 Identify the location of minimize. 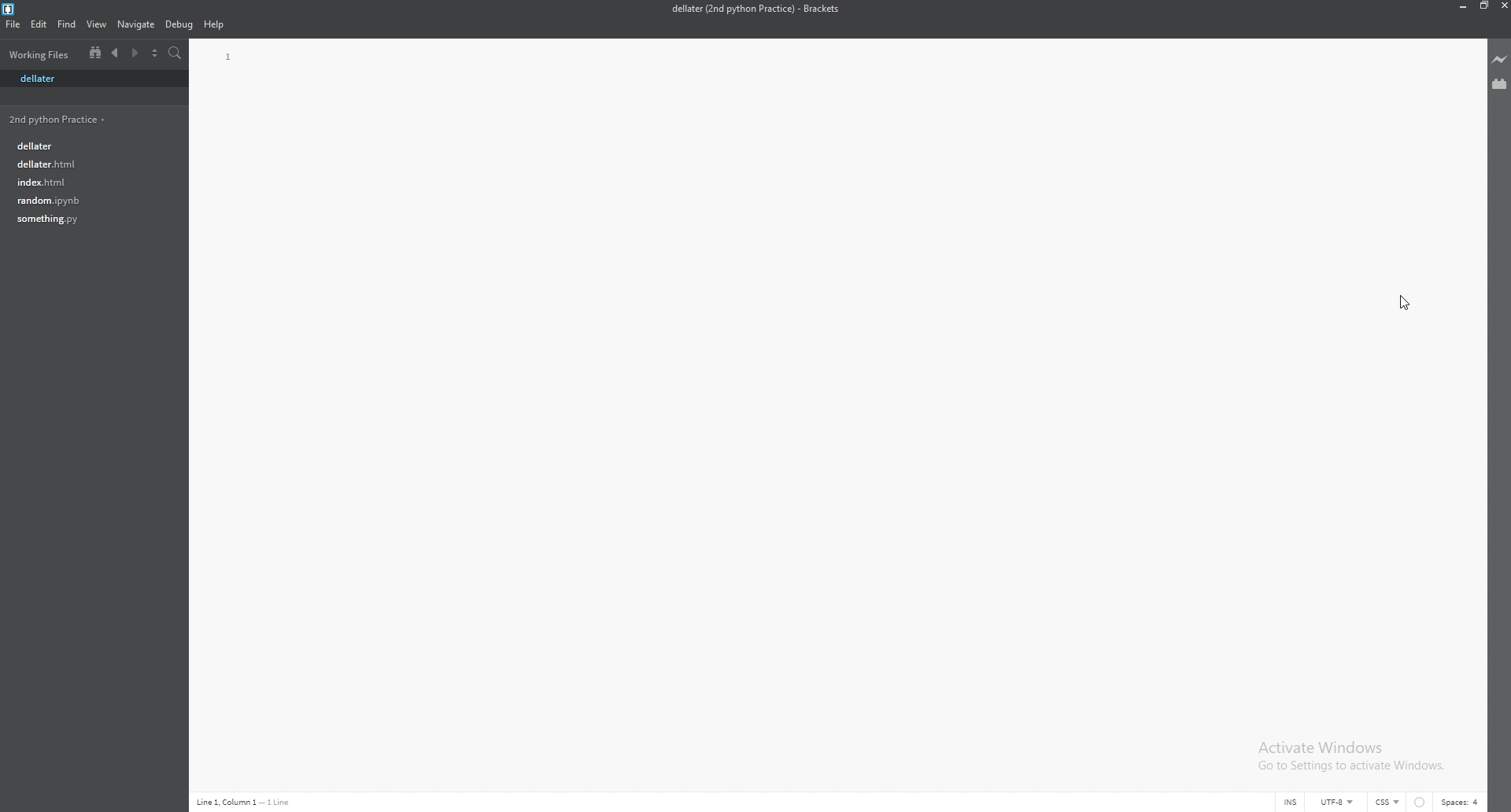
(1460, 6).